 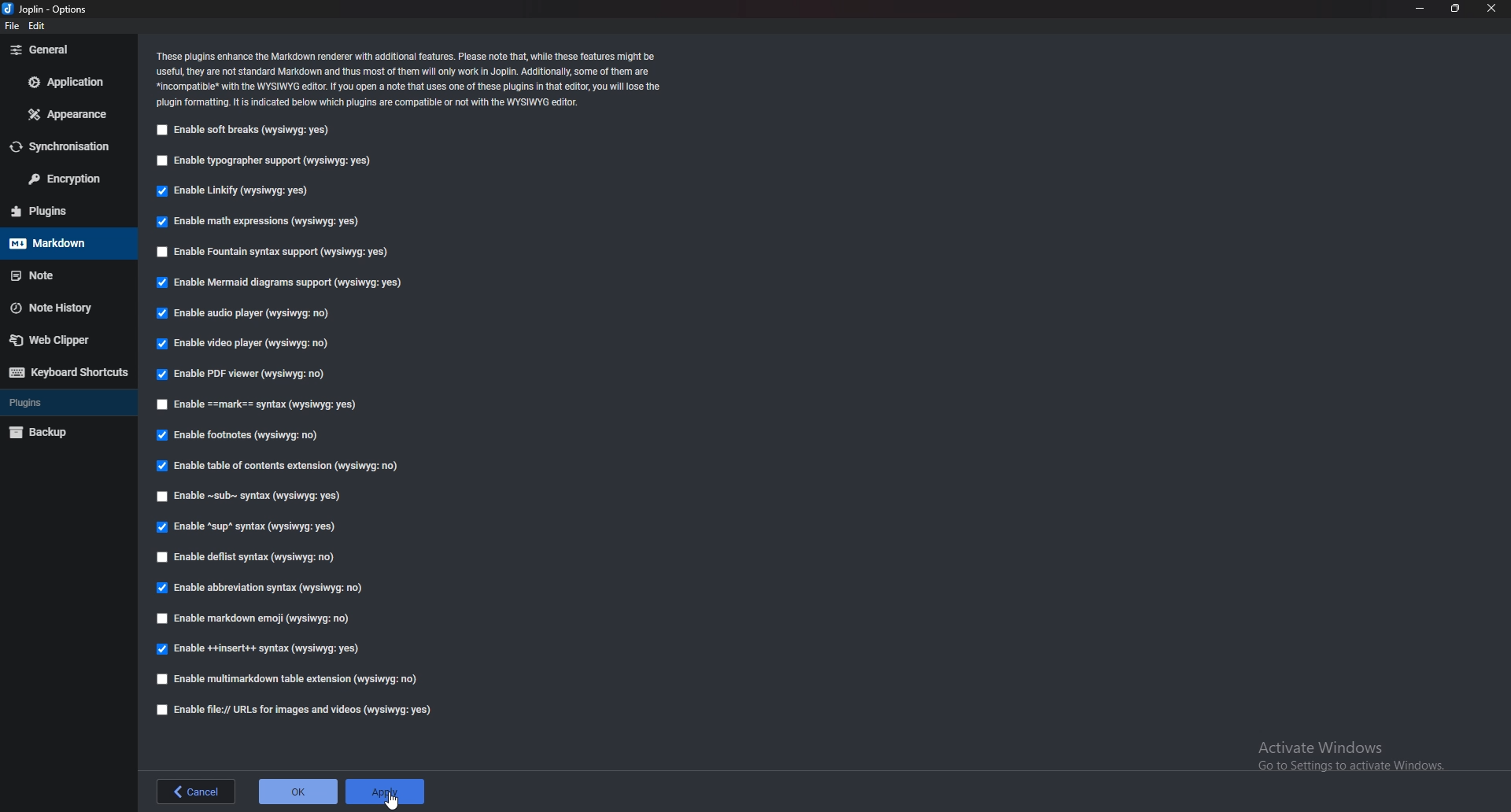 I want to click on Enable footnotes, so click(x=241, y=436).